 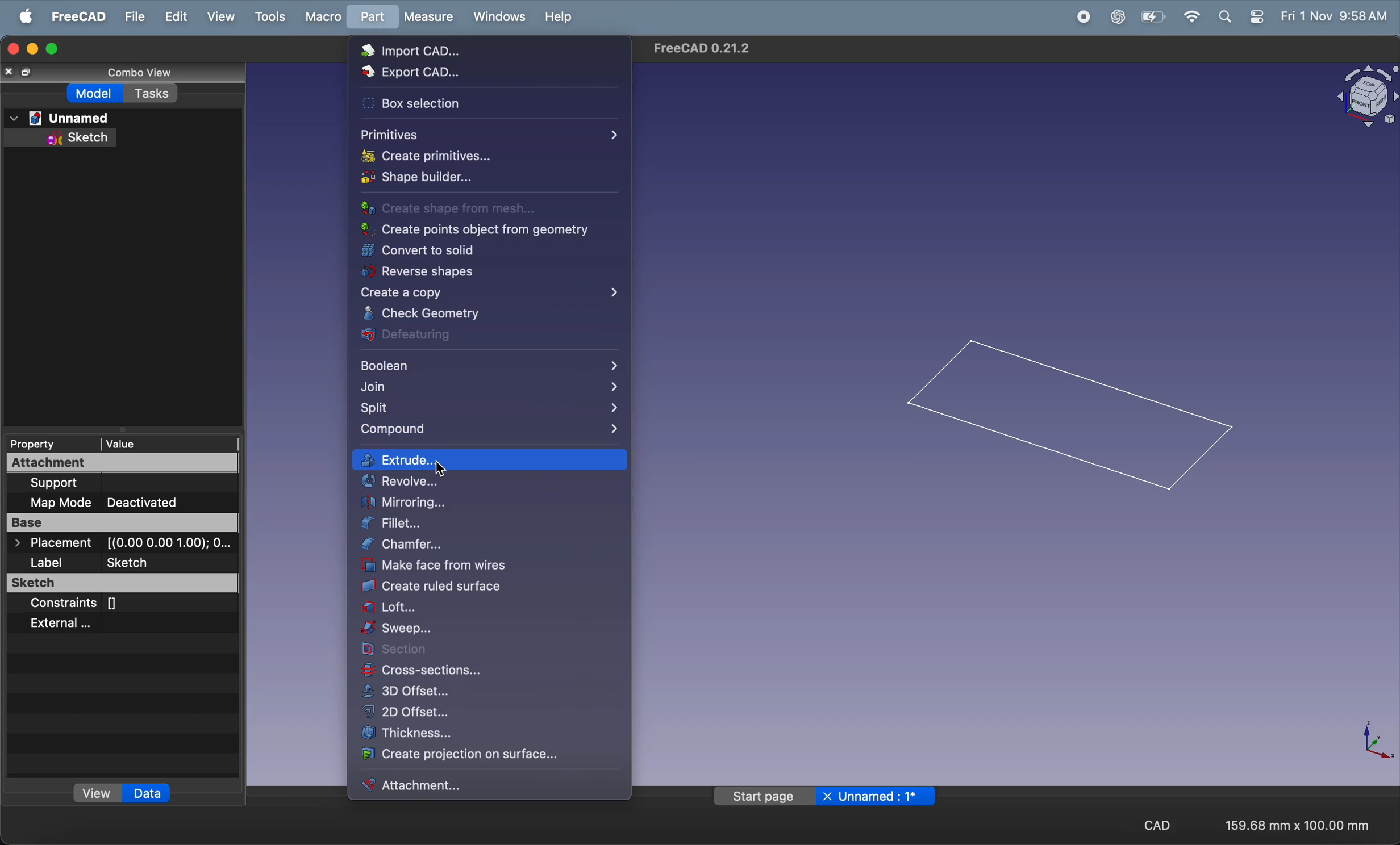 What do you see at coordinates (455, 787) in the screenshot?
I see `attachment` at bounding box center [455, 787].